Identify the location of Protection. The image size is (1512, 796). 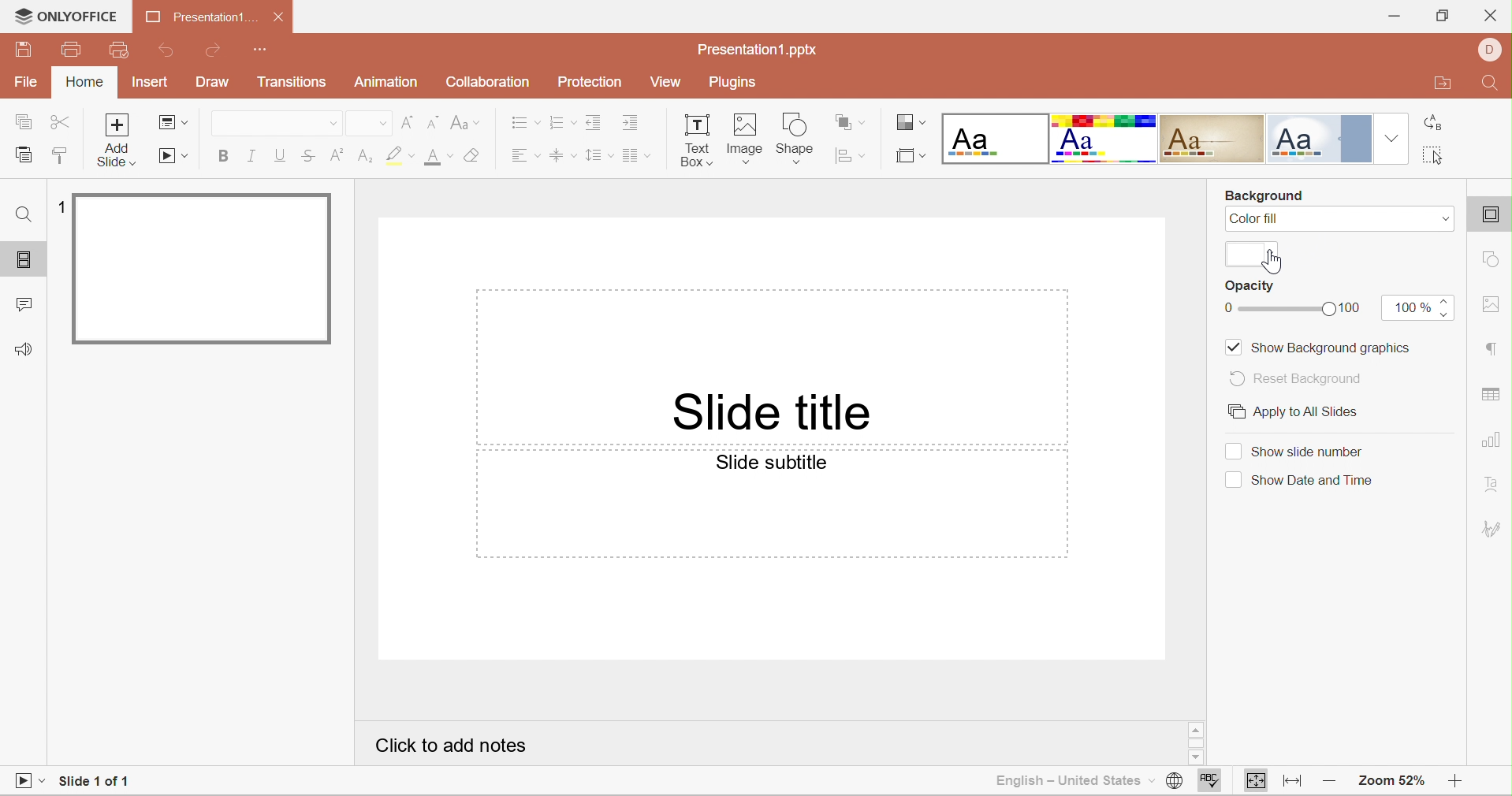
(592, 84).